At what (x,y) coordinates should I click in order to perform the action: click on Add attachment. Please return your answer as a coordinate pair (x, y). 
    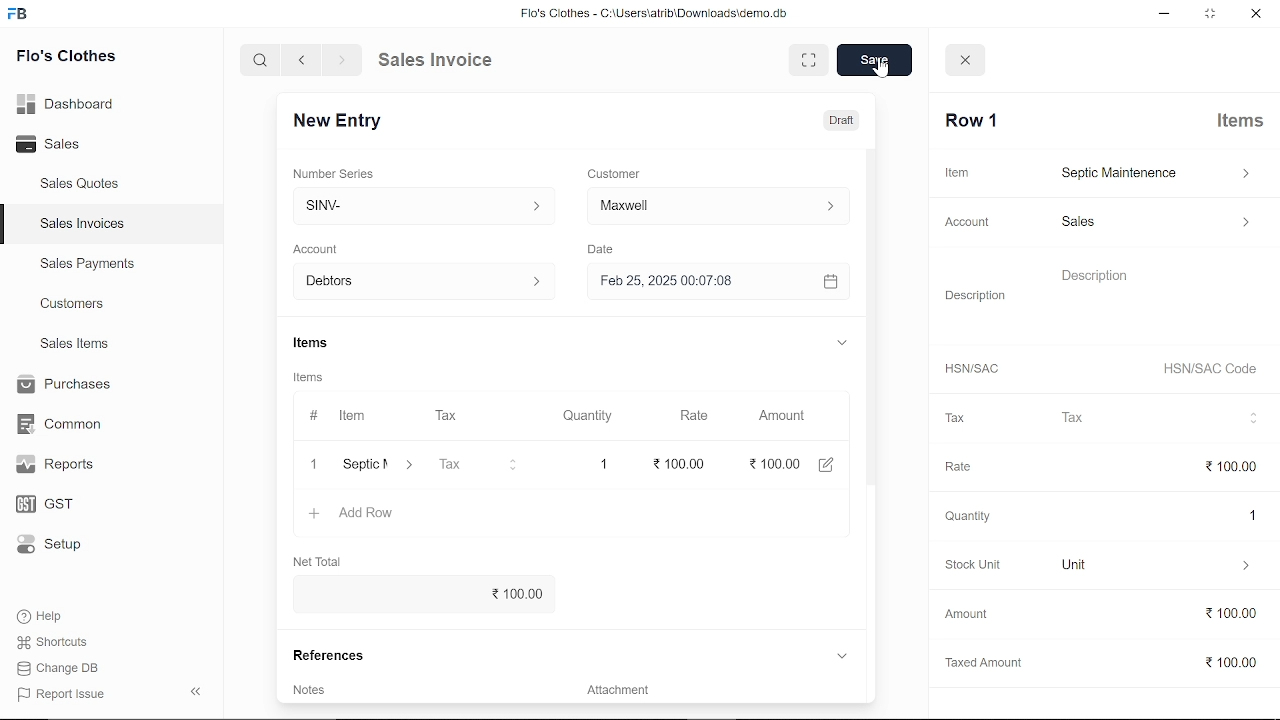
    Looking at the image, I should click on (715, 687).